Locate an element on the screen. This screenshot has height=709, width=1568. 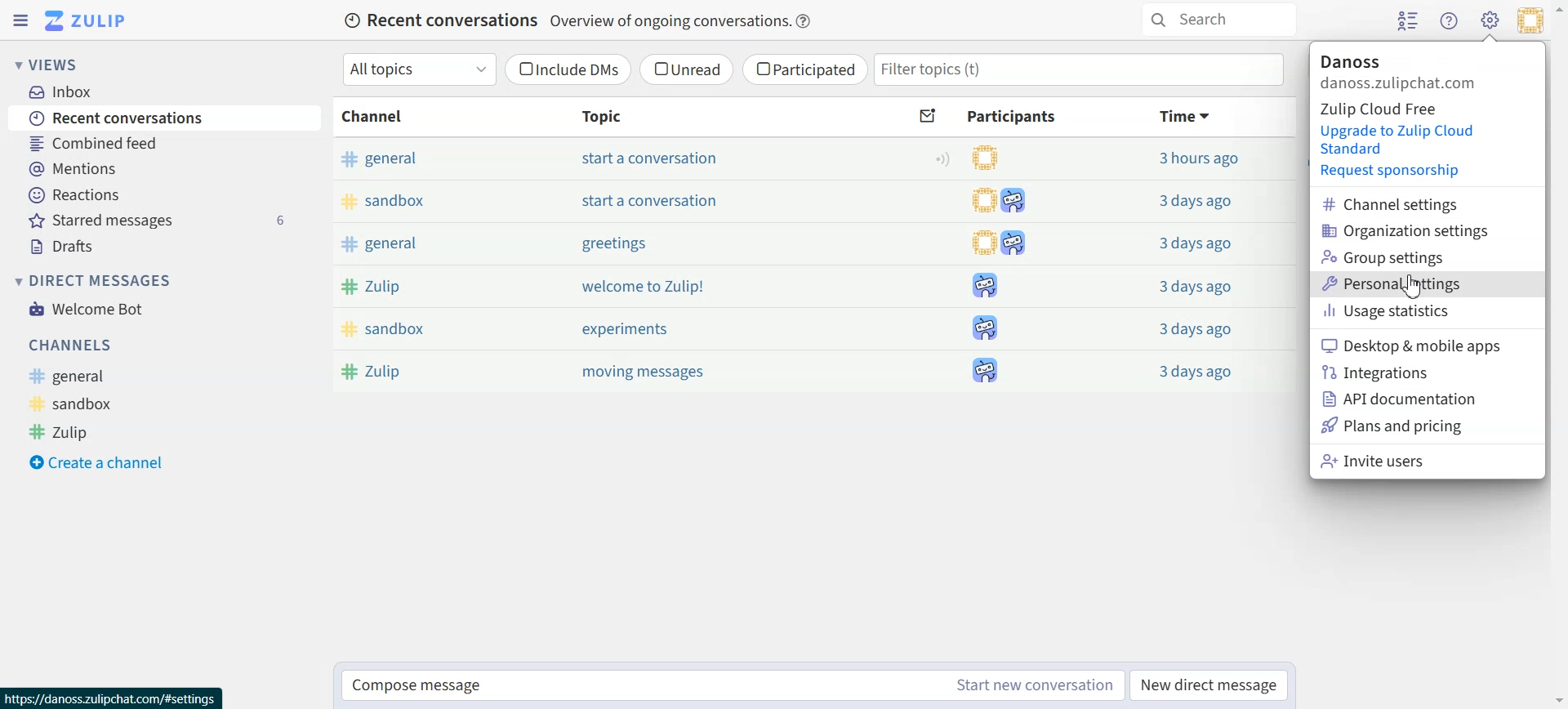
Hide Left sidebar is located at coordinates (21, 21).